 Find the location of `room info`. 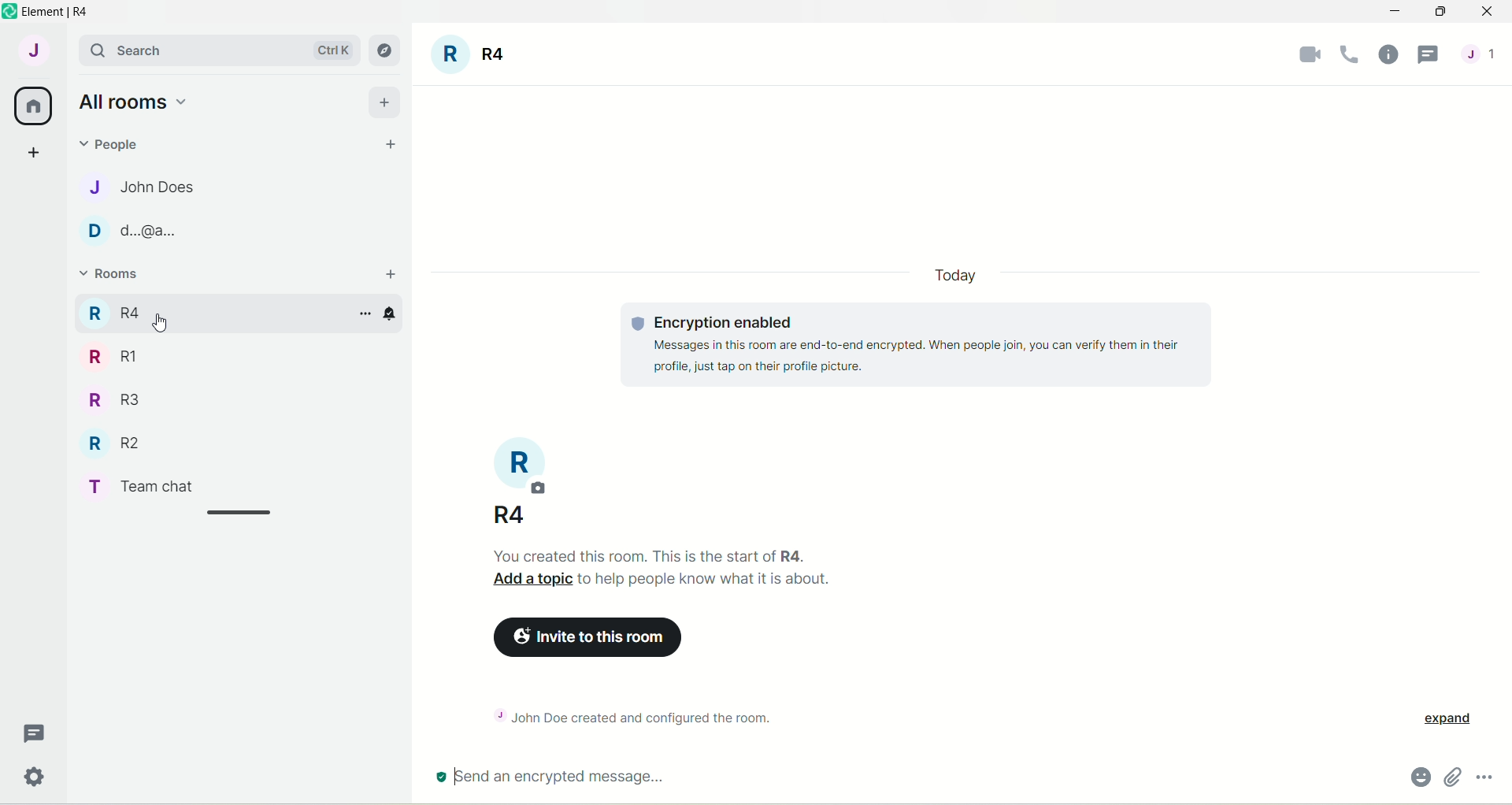

room info is located at coordinates (1384, 54).